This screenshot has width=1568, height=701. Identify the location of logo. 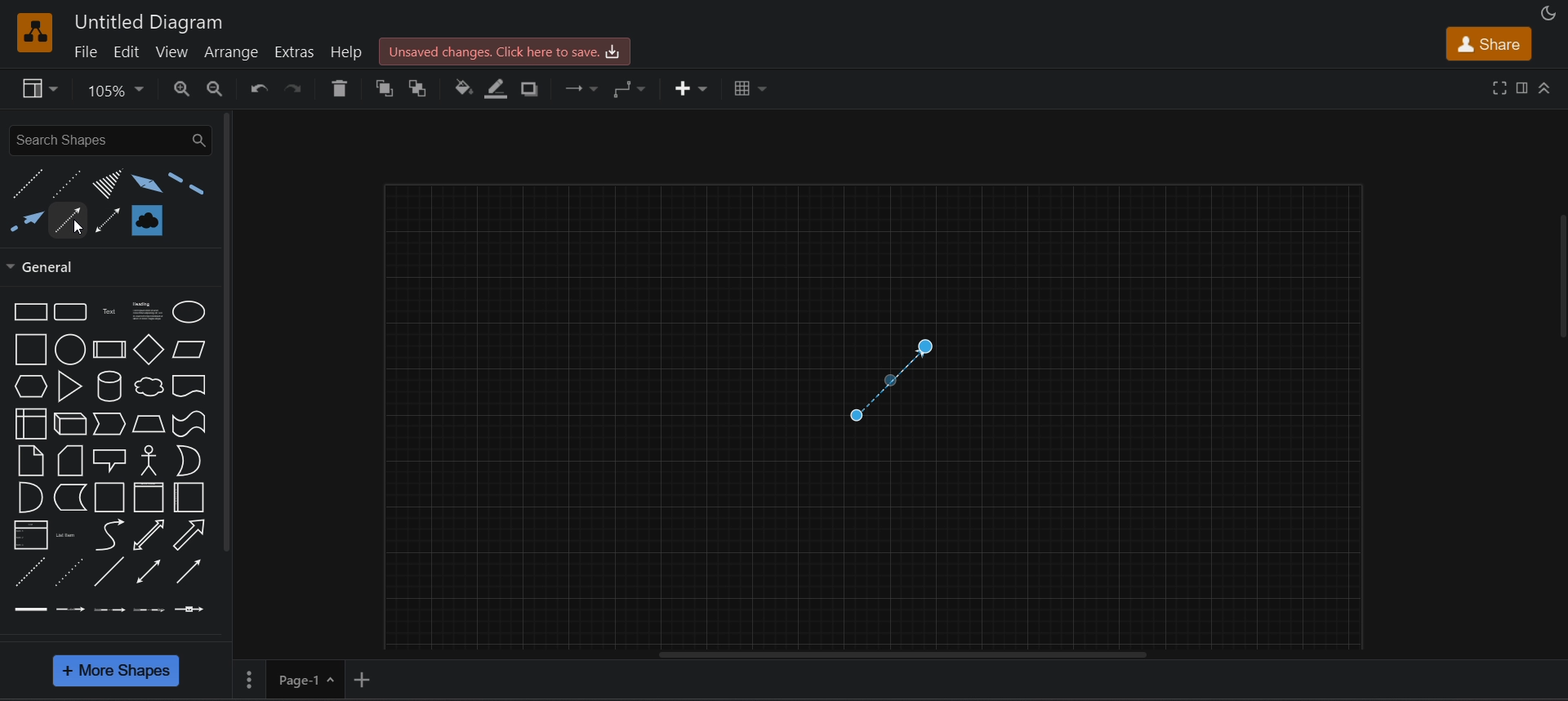
(36, 33).